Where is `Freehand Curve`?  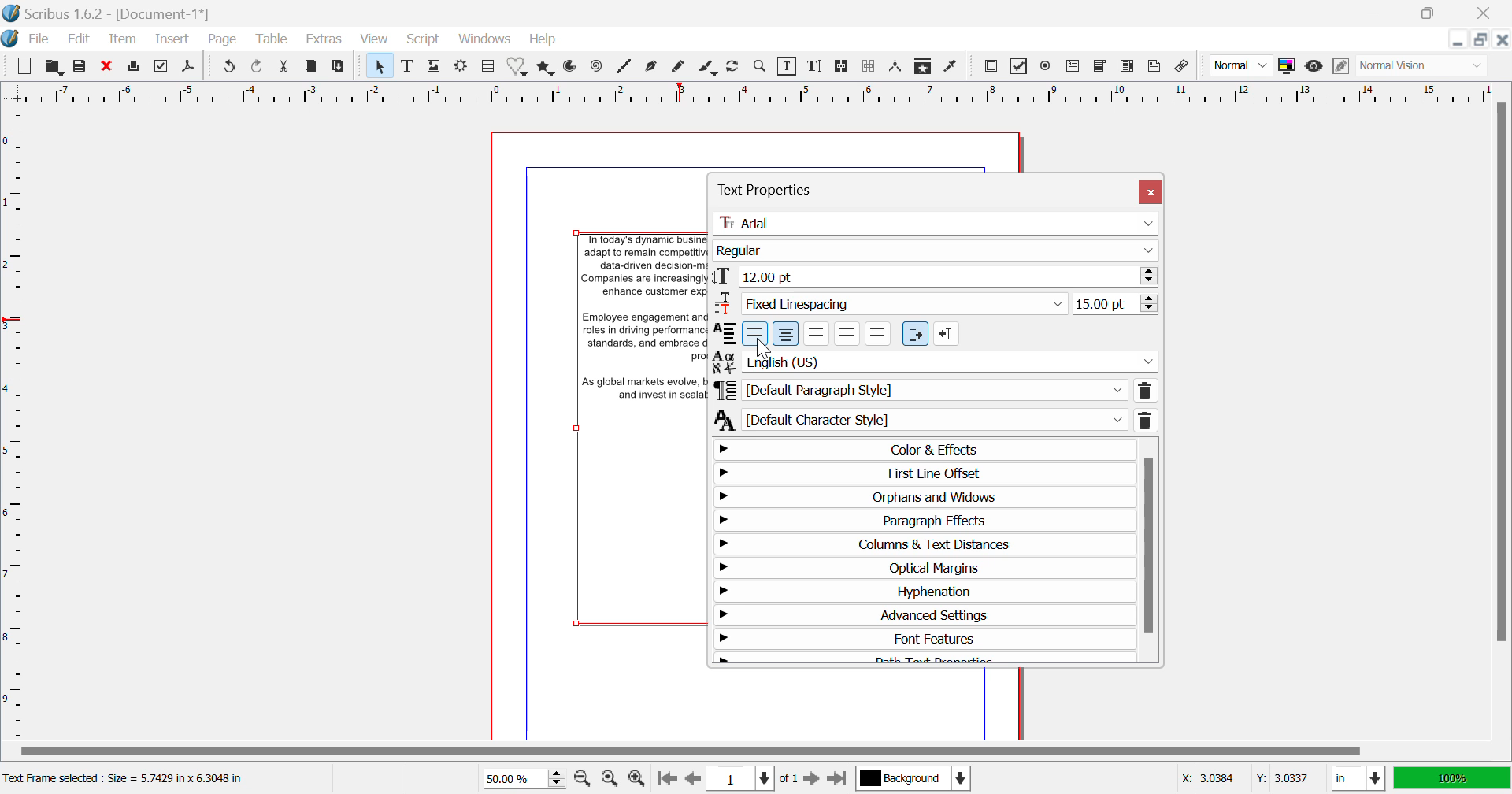 Freehand Curve is located at coordinates (676, 67).